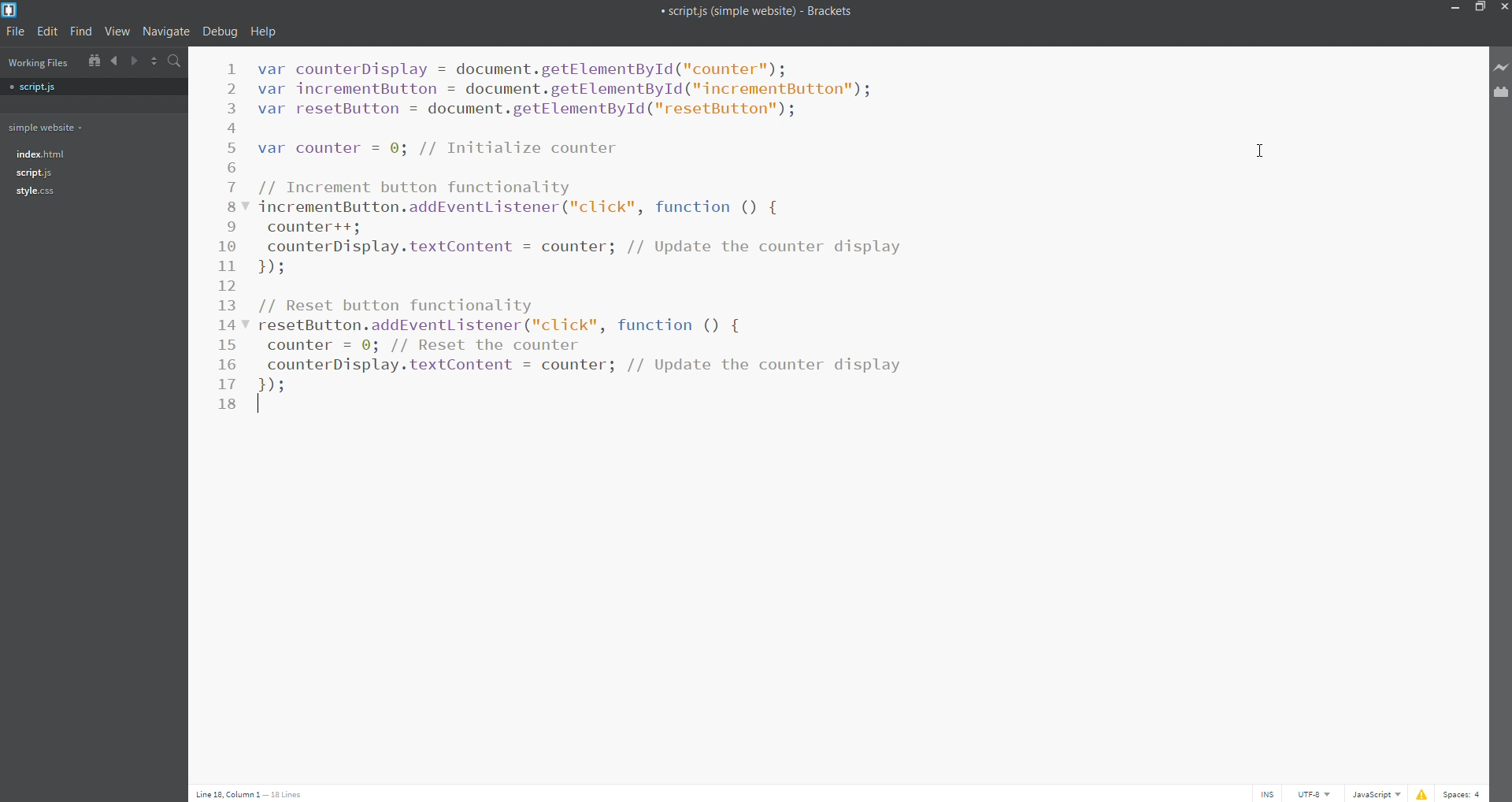 The width and height of the screenshot is (1512, 802). Describe the element at coordinates (1503, 7) in the screenshot. I see `close` at that location.